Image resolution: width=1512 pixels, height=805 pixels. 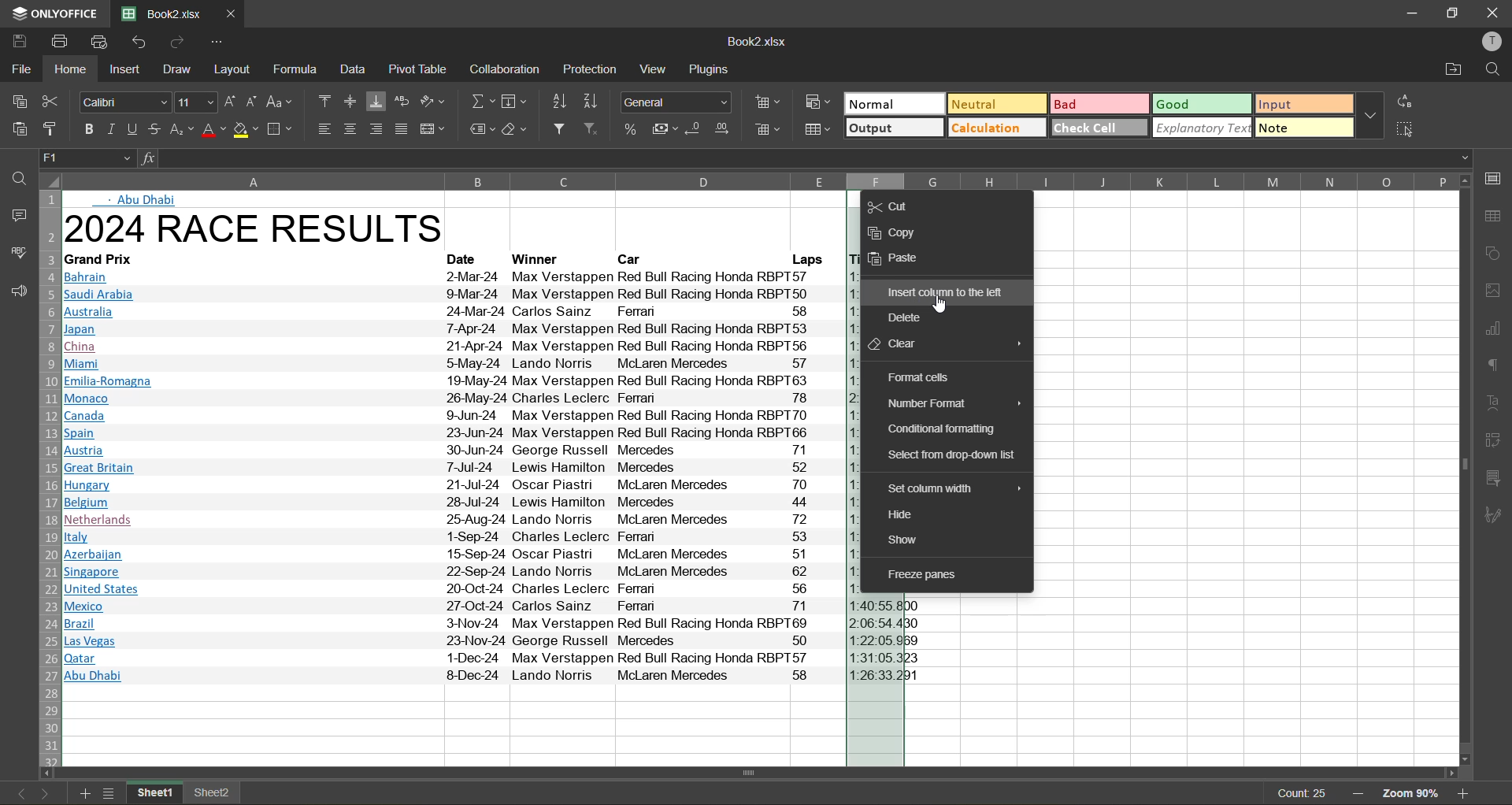 What do you see at coordinates (557, 129) in the screenshot?
I see `filter` at bounding box center [557, 129].